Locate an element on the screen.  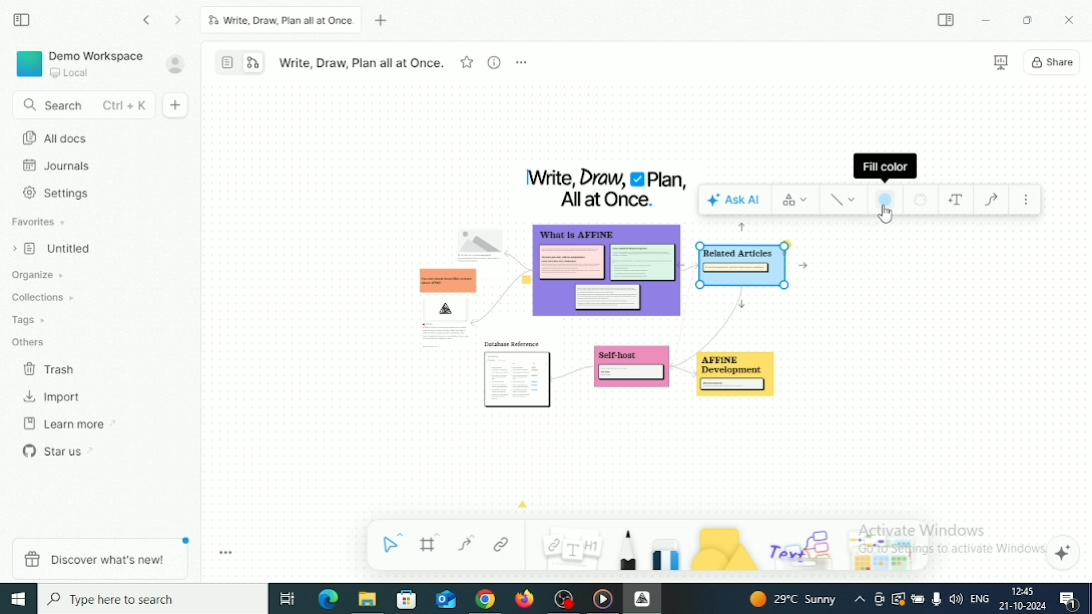
Windows is located at coordinates (19, 599).